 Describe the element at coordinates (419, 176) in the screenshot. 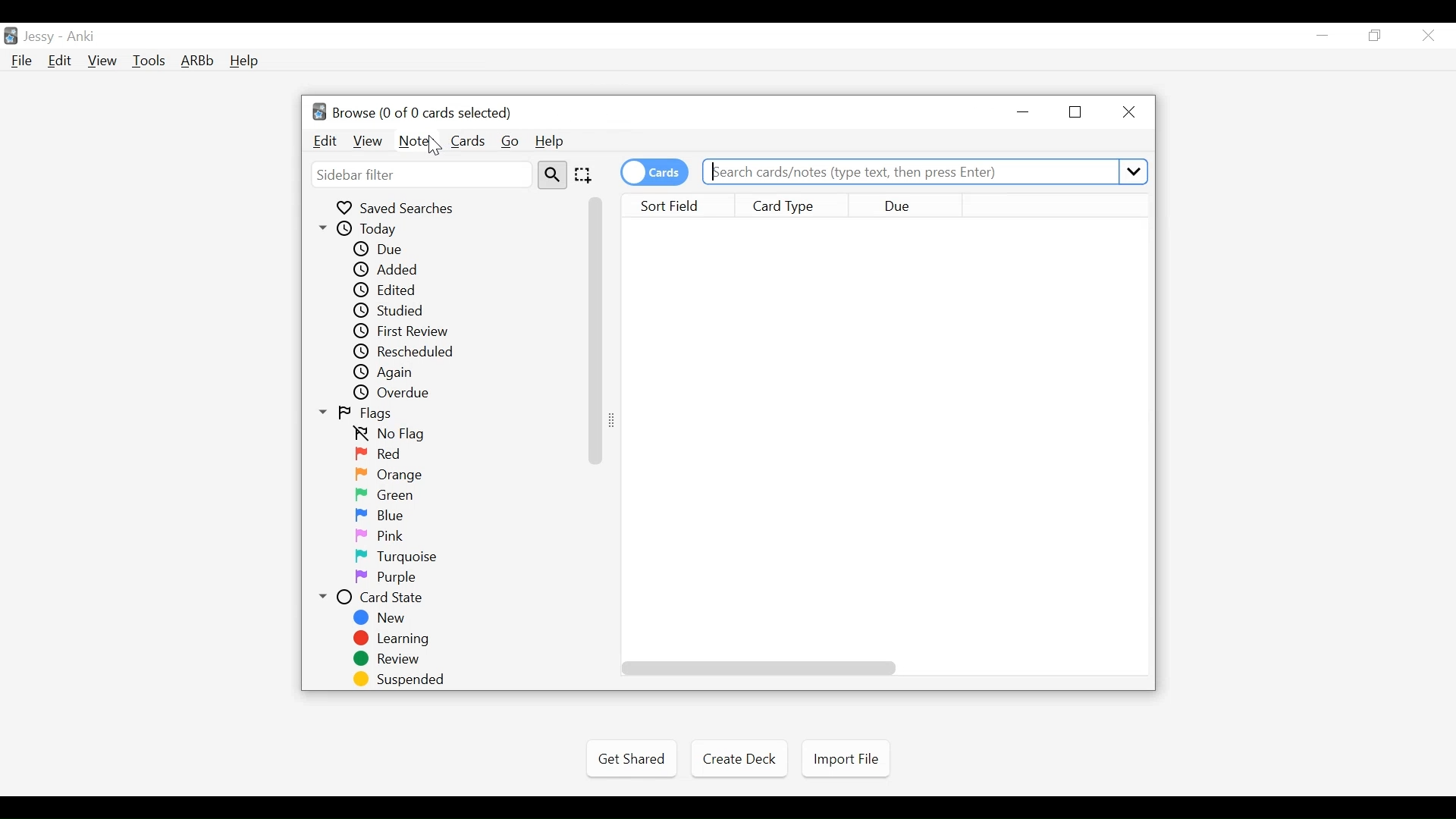

I see `Sidebar Filter` at that location.